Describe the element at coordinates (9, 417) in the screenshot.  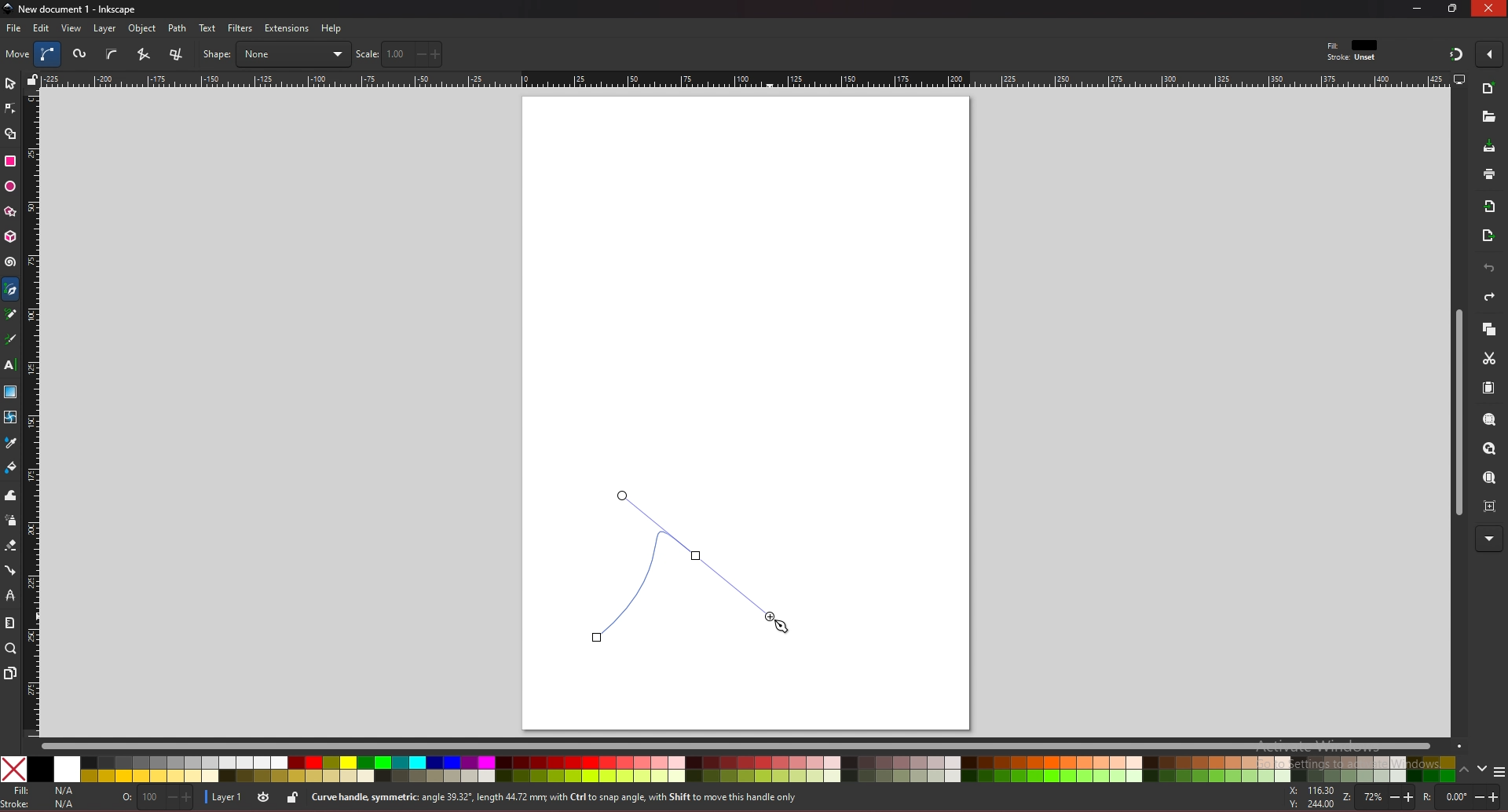
I see `mesh` at that location.